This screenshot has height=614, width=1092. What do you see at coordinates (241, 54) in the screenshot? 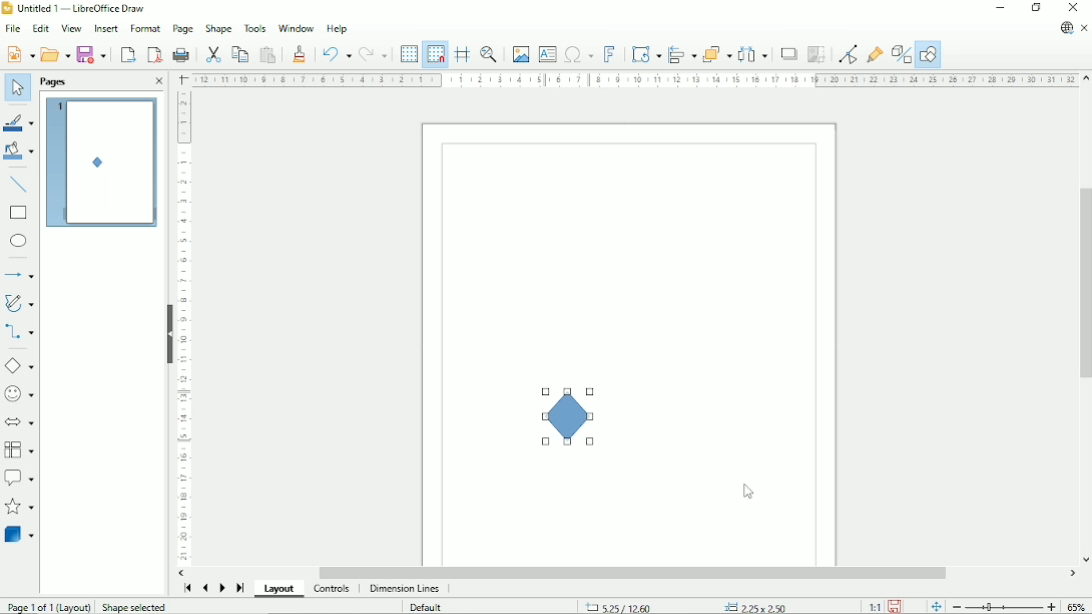
I see `Copy` at bounding box center [241, 54].